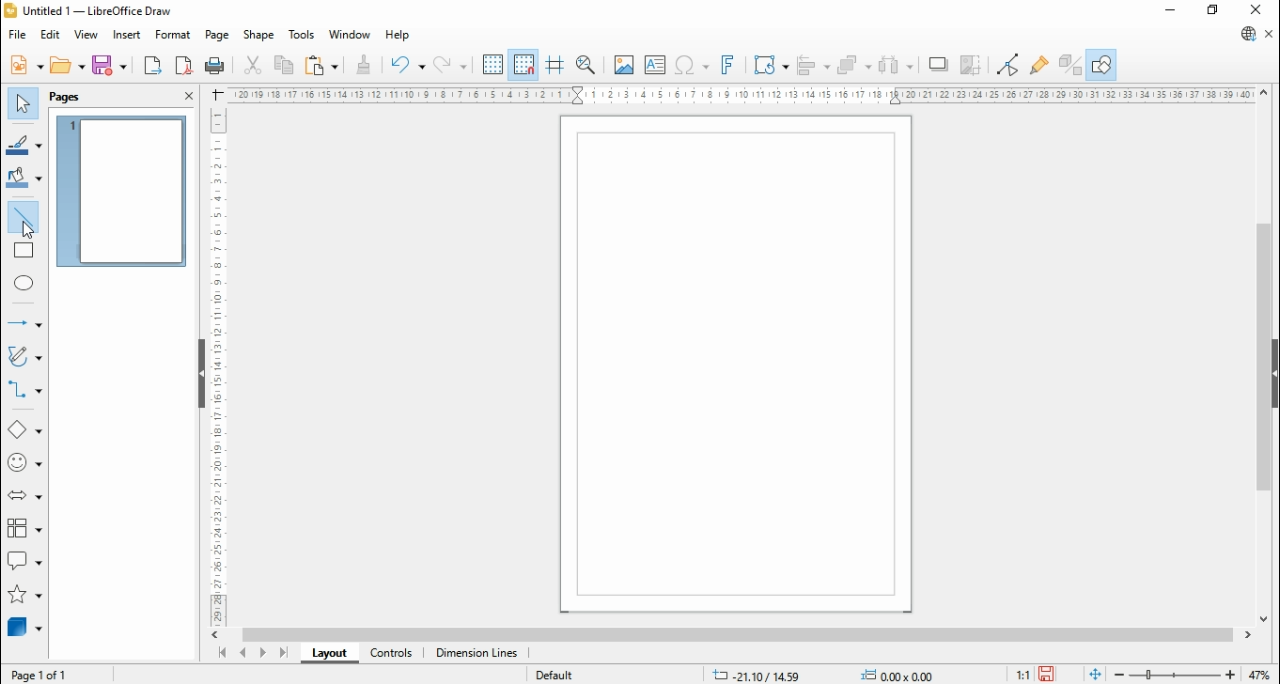 The image size is (1280, 684). Describe the element at coordinates (738, 94) in the screenshot. I see `Scale` at that location.